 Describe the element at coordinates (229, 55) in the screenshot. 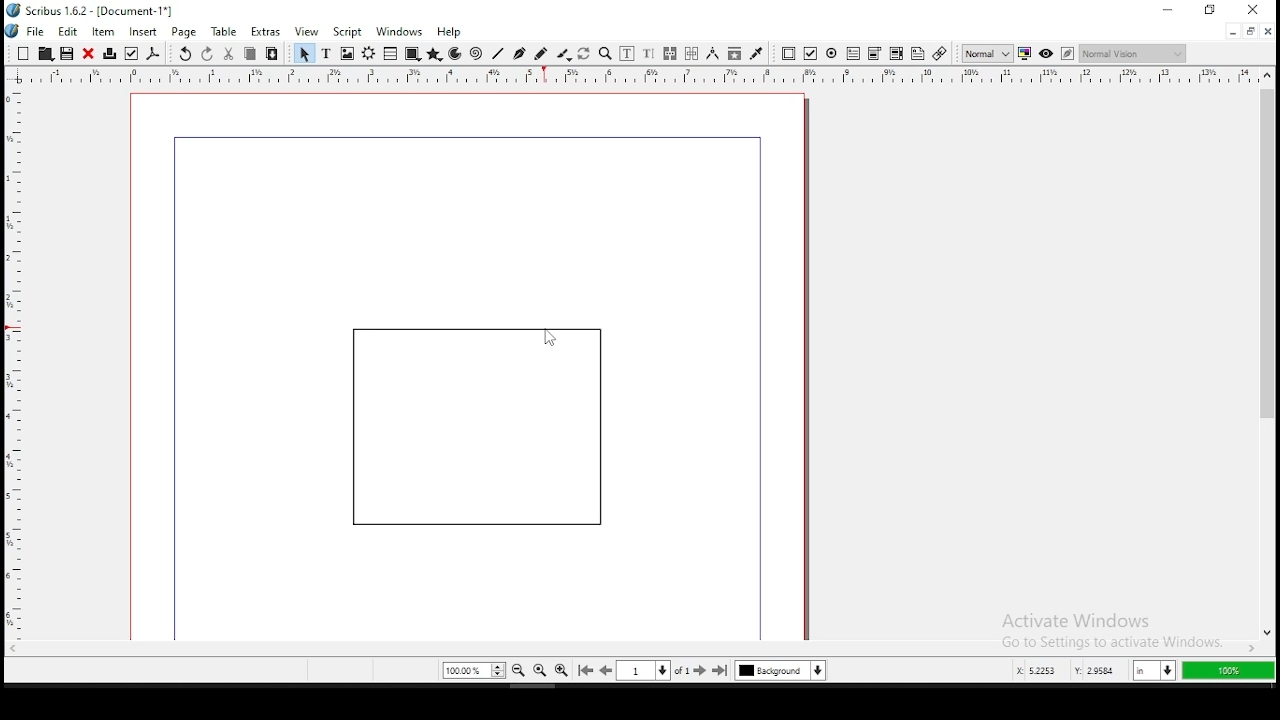

I see `cut` at that location.